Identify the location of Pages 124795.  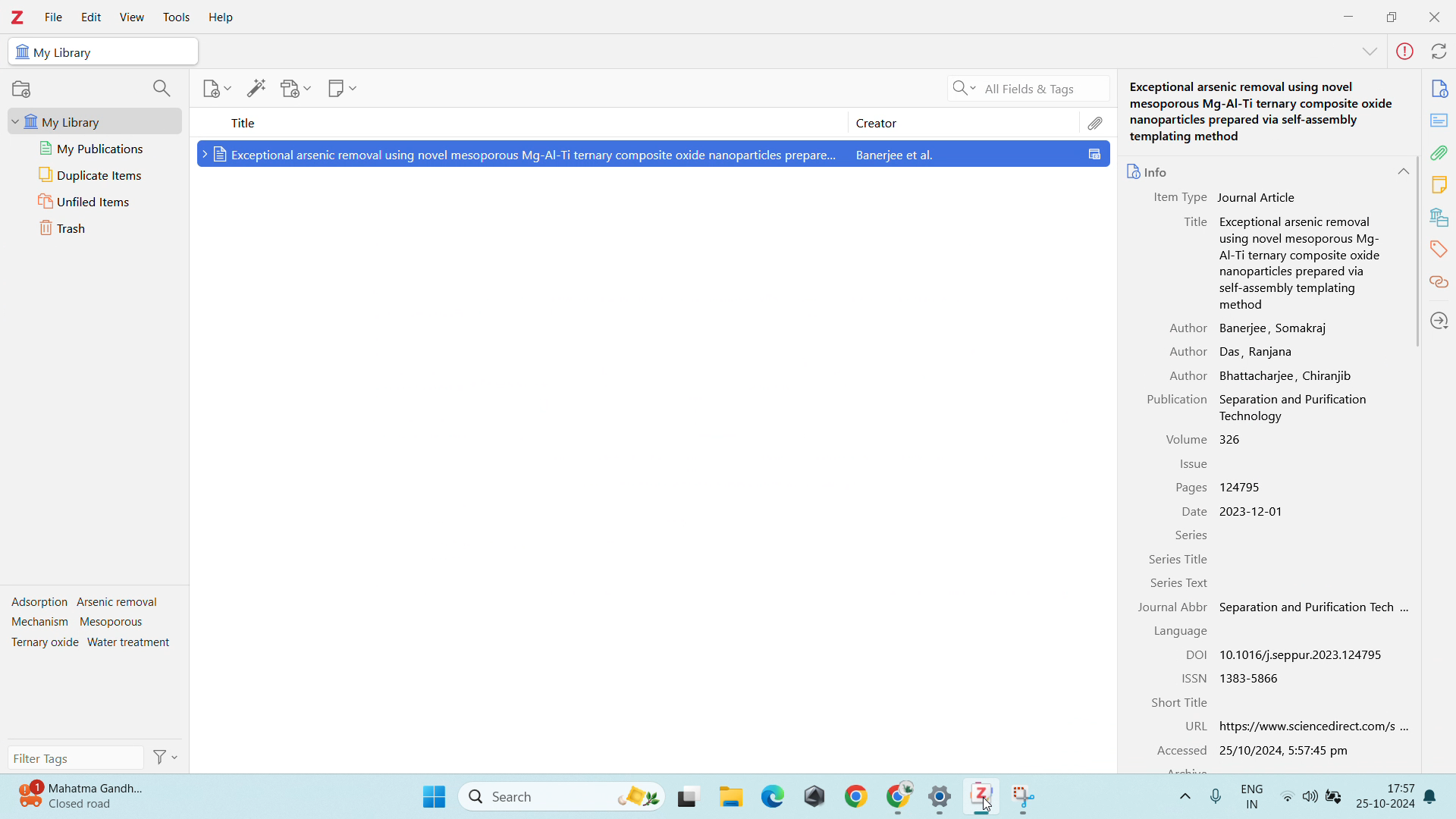
(1224, 488).